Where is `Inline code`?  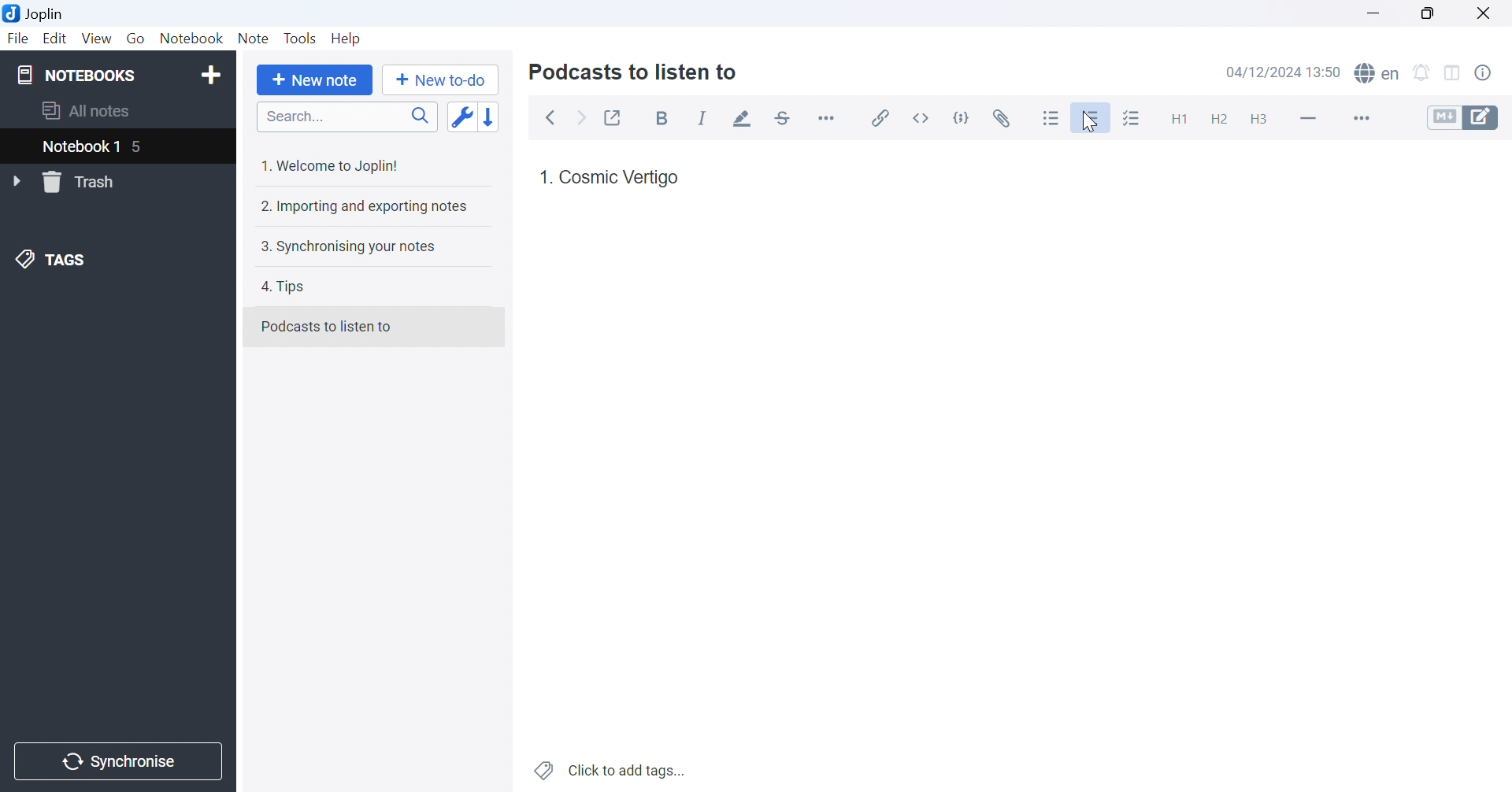
Inline code is located at coordinates (925, 117).